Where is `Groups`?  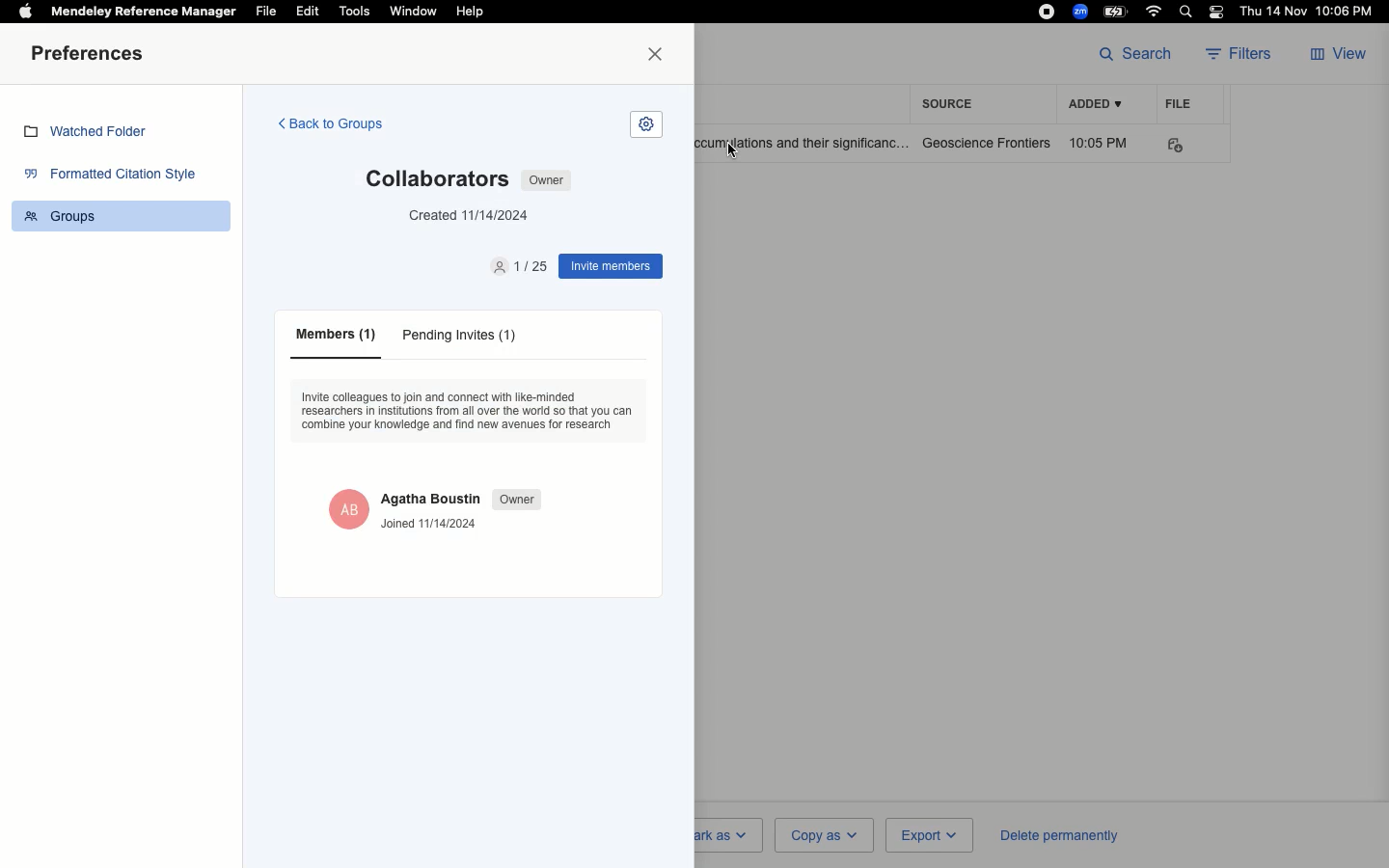 Groups is located at coordinates (124, 214).